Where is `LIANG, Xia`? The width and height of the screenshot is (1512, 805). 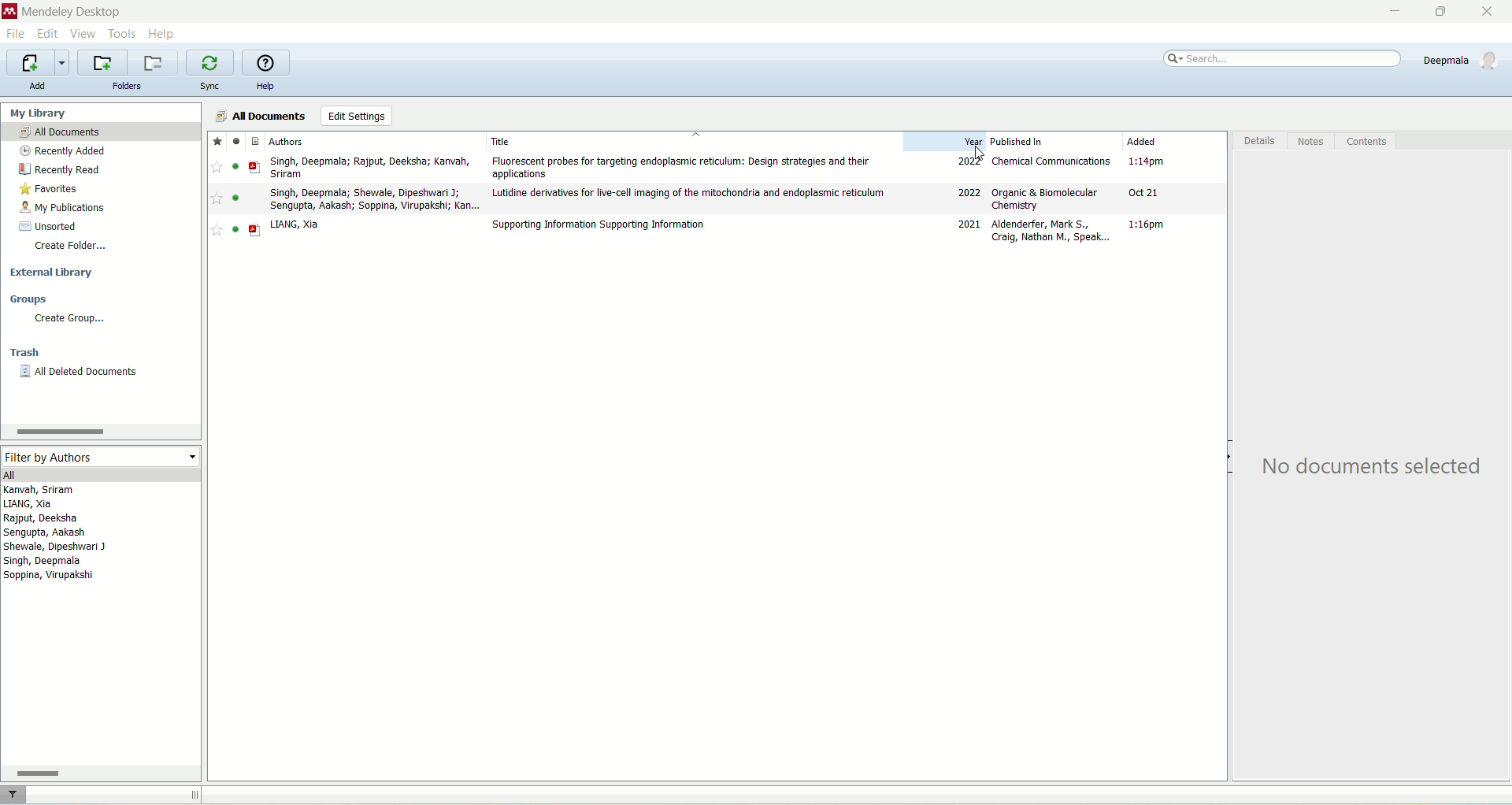
LIANG, Xia is located at coordinates (30, 503).